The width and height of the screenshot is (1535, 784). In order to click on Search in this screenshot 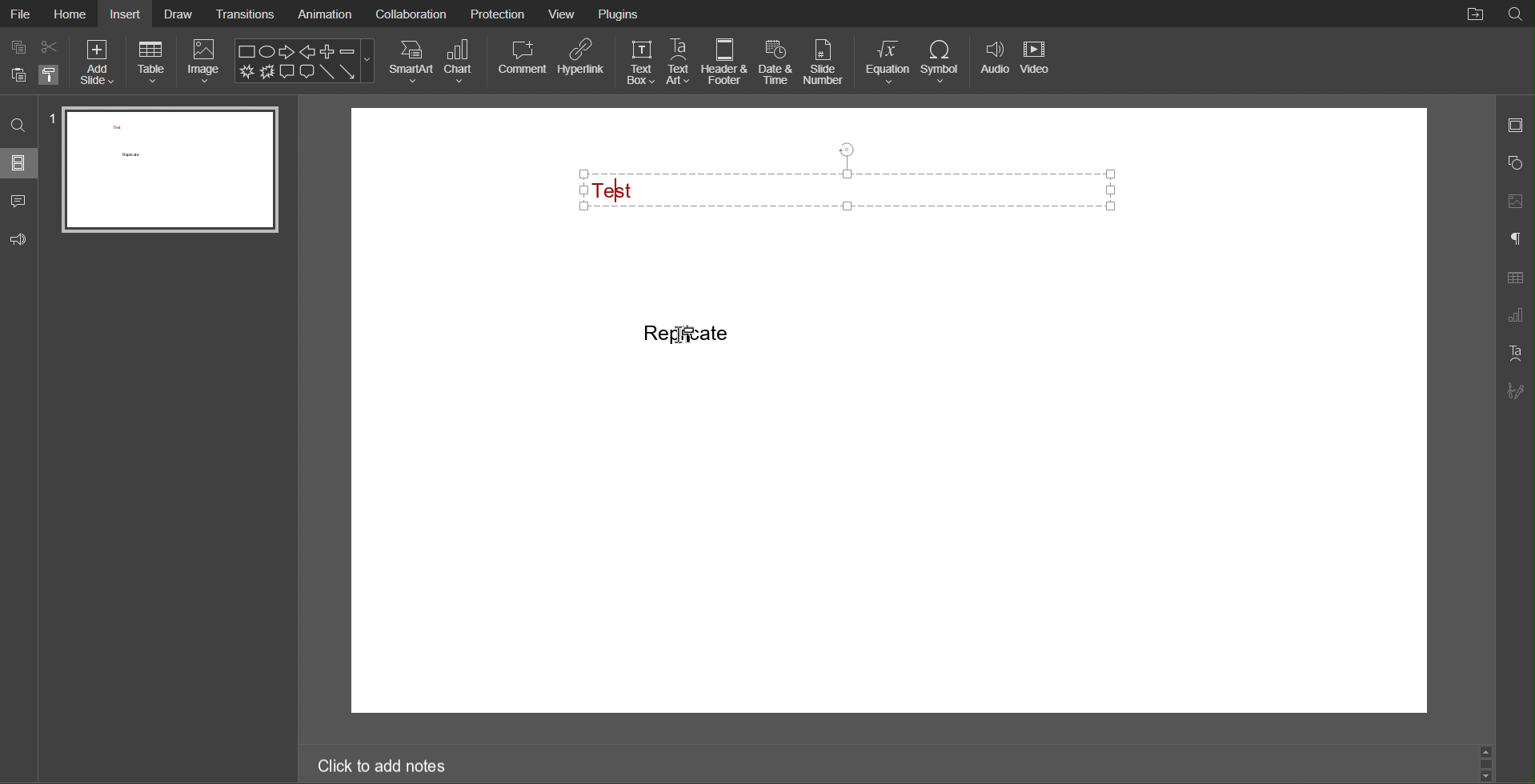, I will do `click(21, 123)`.